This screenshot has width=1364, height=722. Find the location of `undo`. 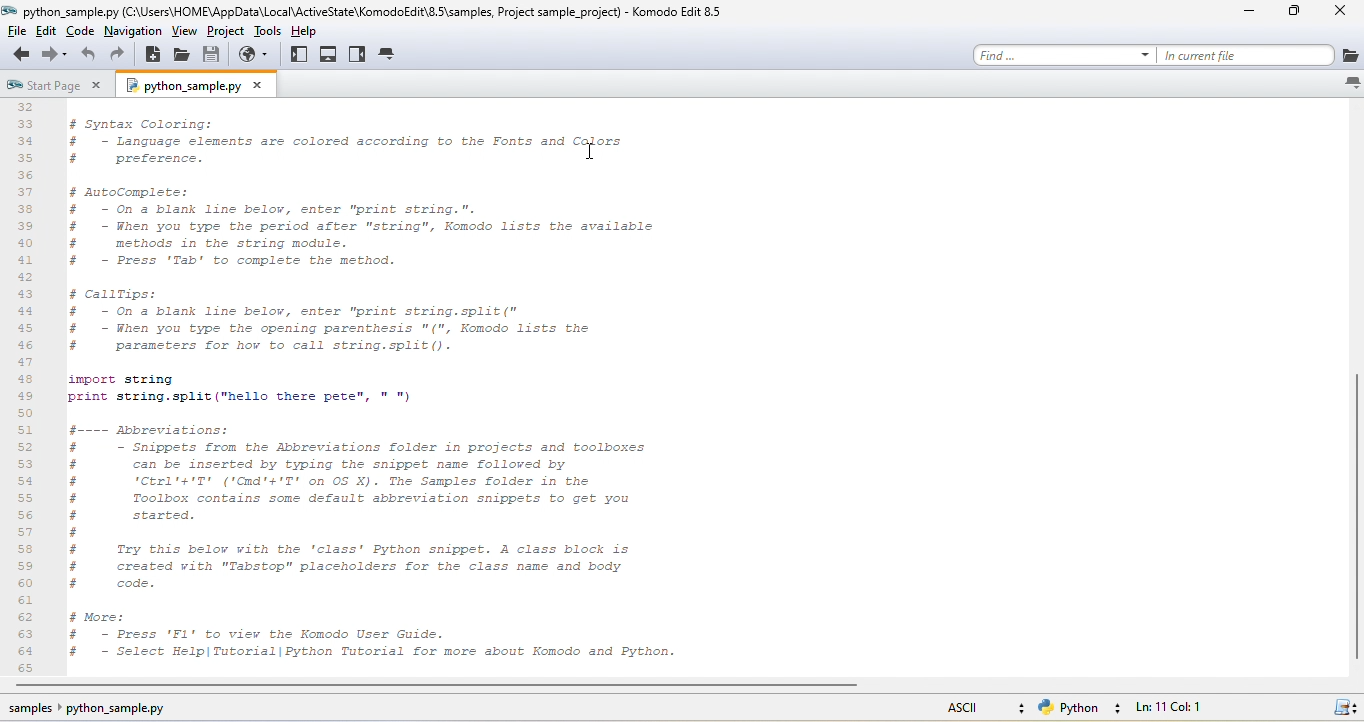

undo is located at coordinates (90, 57).